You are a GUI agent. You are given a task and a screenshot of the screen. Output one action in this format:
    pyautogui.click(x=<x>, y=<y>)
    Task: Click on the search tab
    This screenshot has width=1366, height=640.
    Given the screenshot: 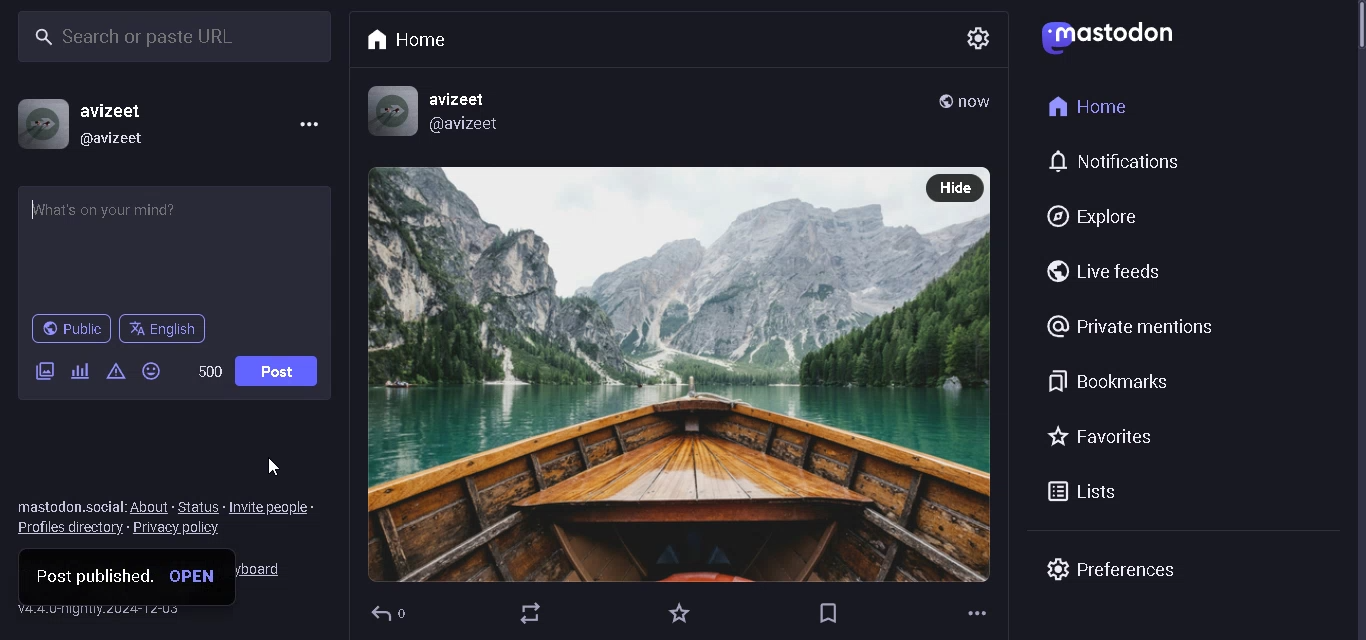 What is the action you would take?
    pyautogui.click(x=168, y=39)
    